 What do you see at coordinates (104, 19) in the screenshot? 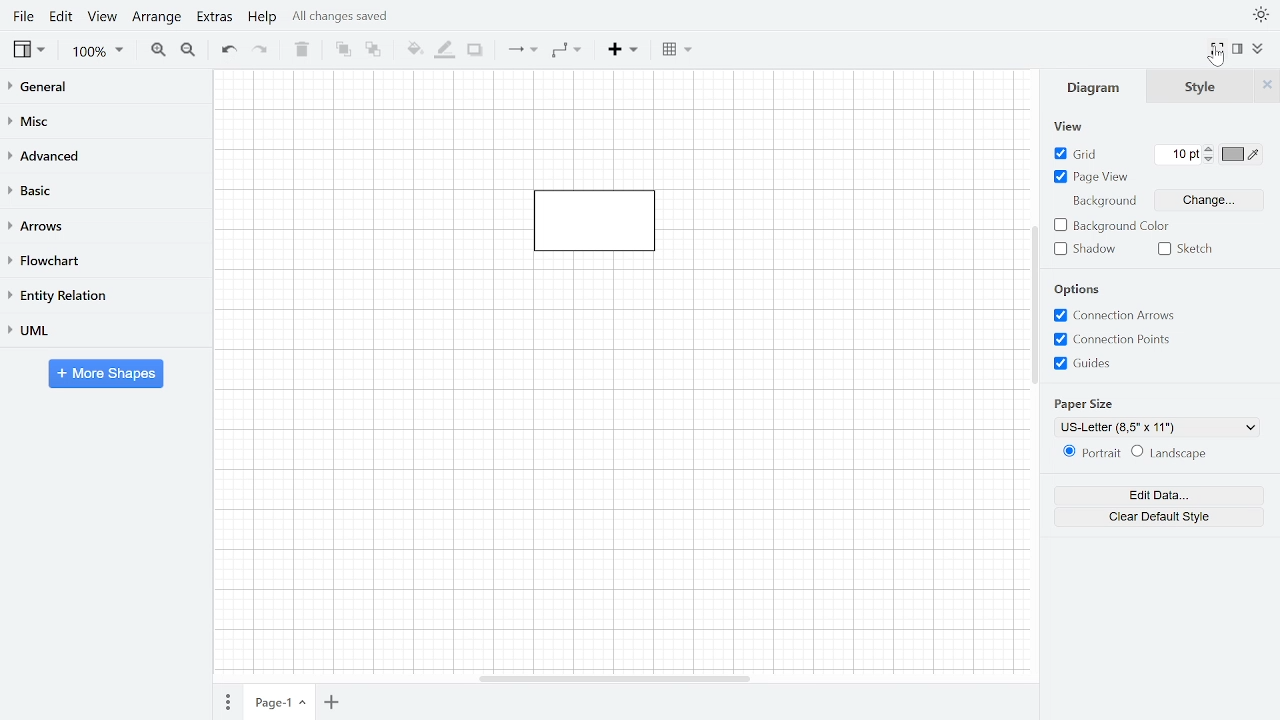
I see `View` at bounding box center [104, 19].